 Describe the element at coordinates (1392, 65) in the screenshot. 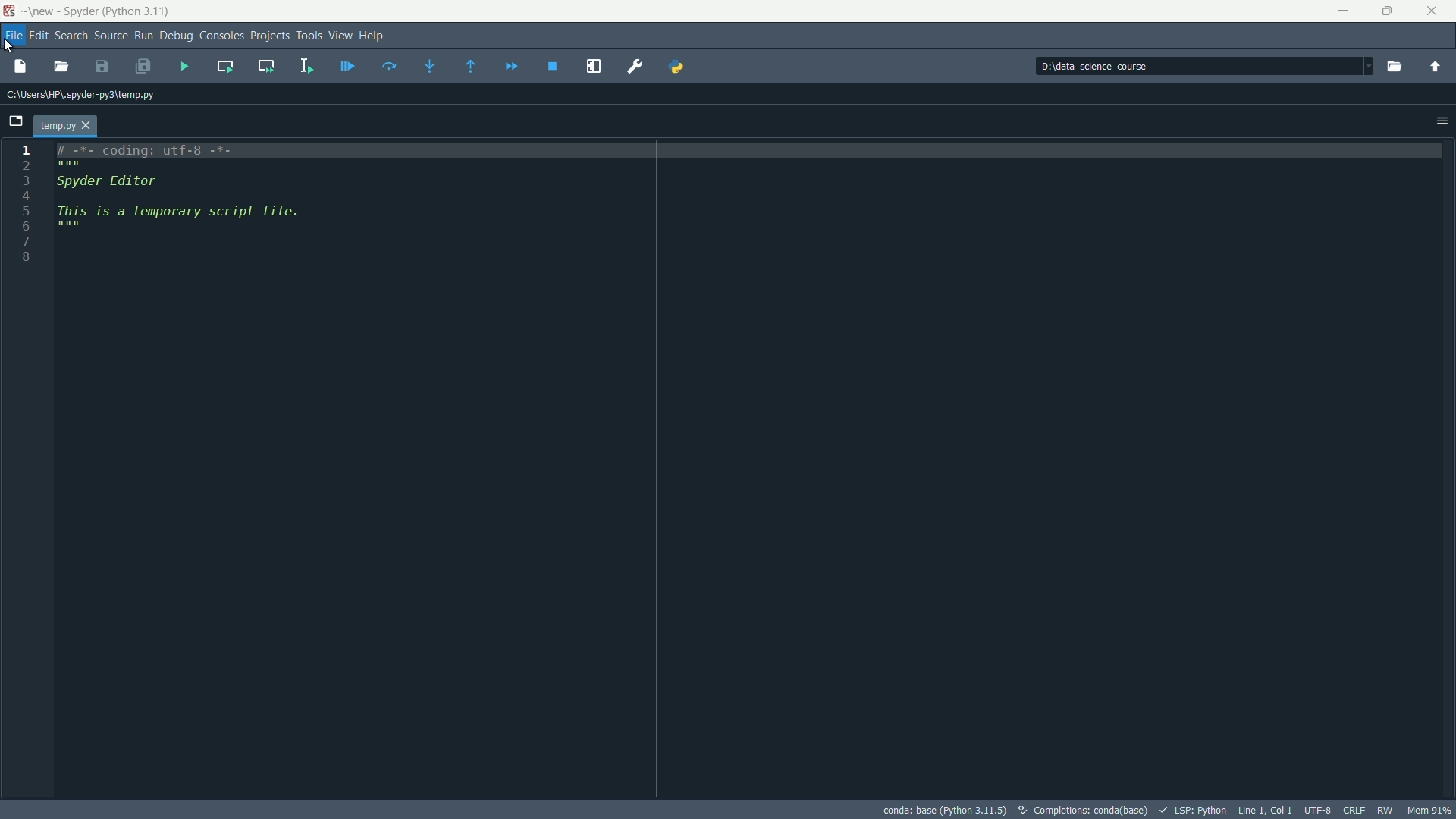

I see `browse a working directory` at that location.